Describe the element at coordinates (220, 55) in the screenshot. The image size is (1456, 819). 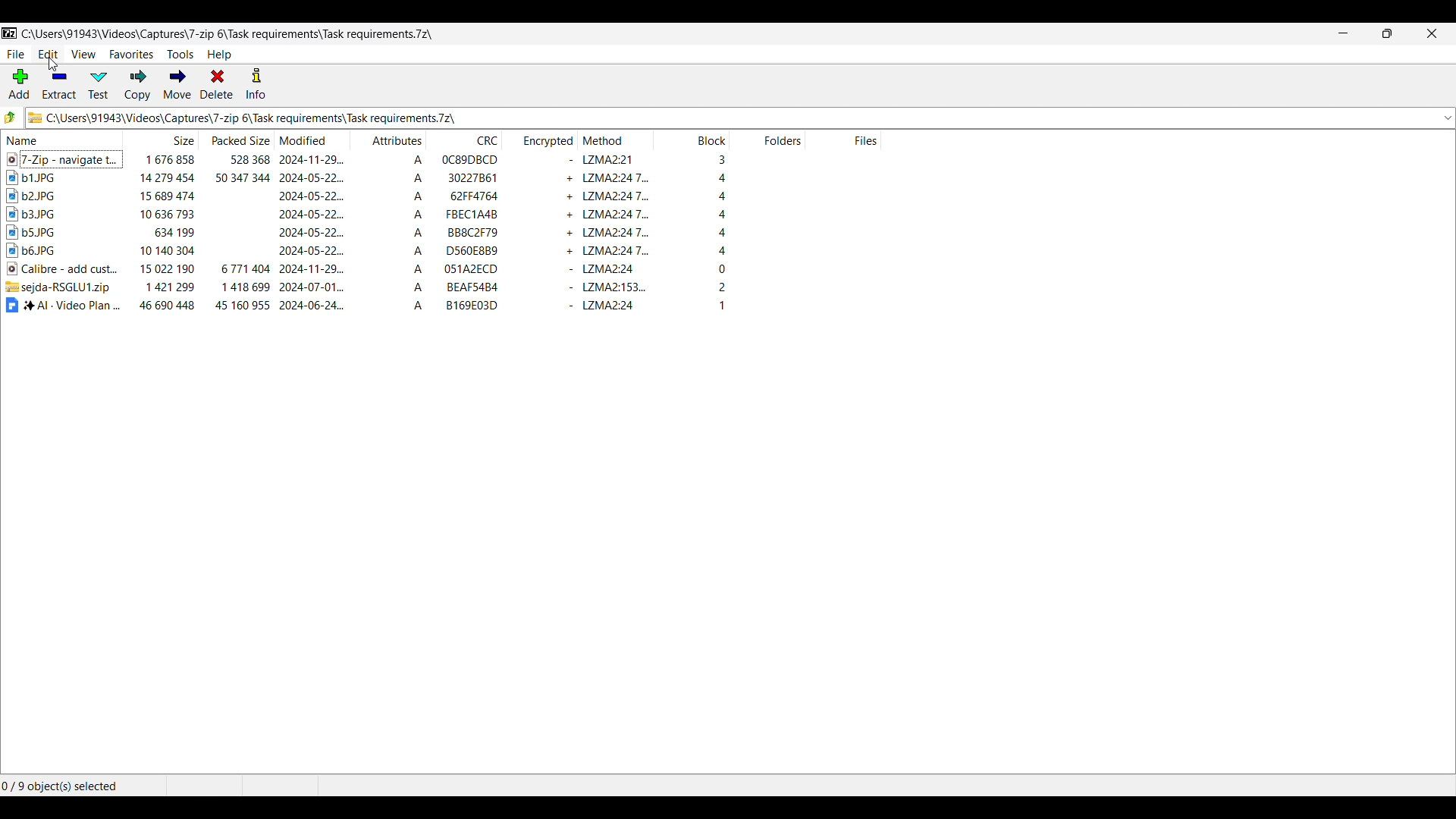
I see `Help menu` at that location.